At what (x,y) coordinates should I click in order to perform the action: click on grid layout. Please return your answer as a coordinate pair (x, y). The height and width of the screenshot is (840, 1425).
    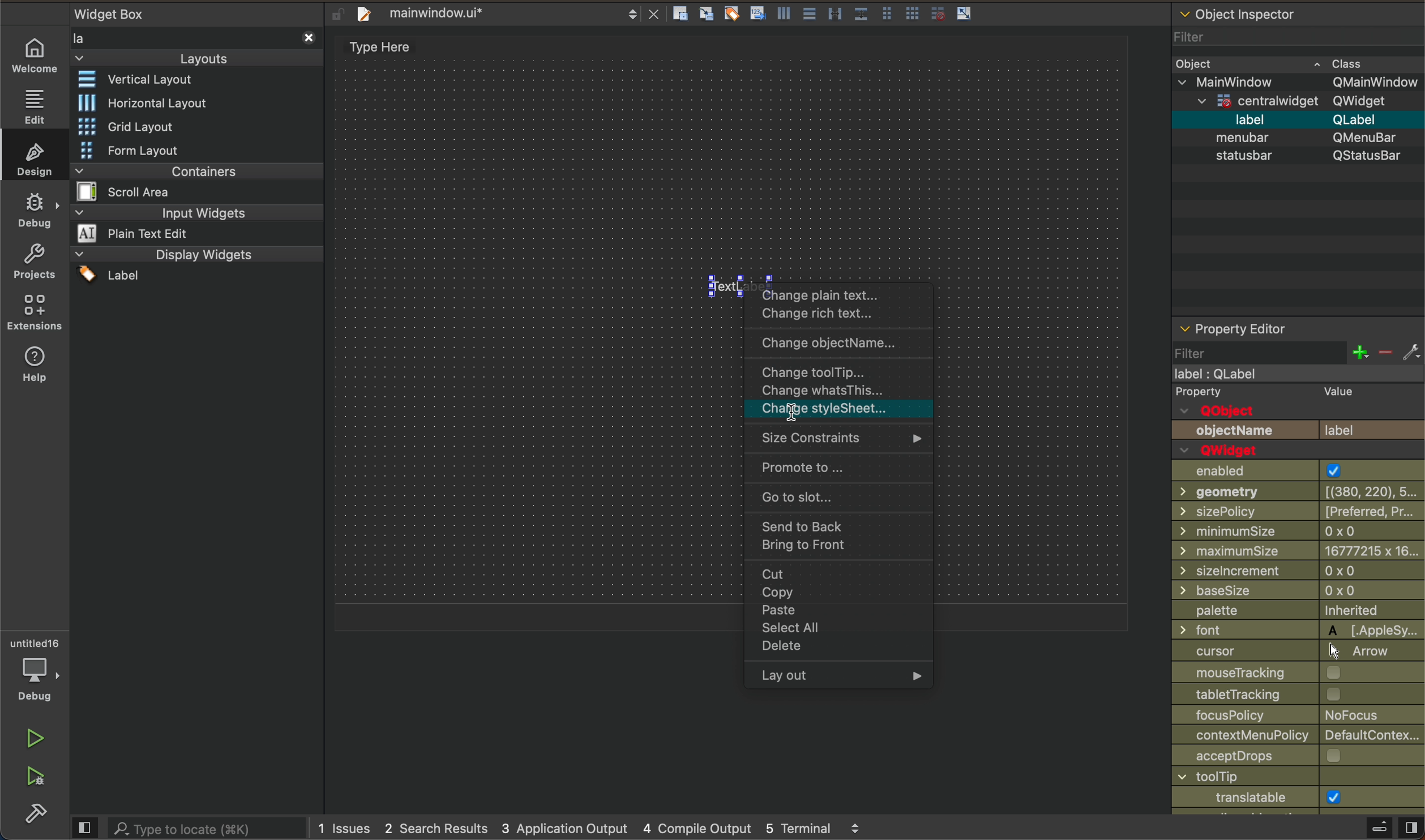
    Looking at the image, I should click on (146, 127).